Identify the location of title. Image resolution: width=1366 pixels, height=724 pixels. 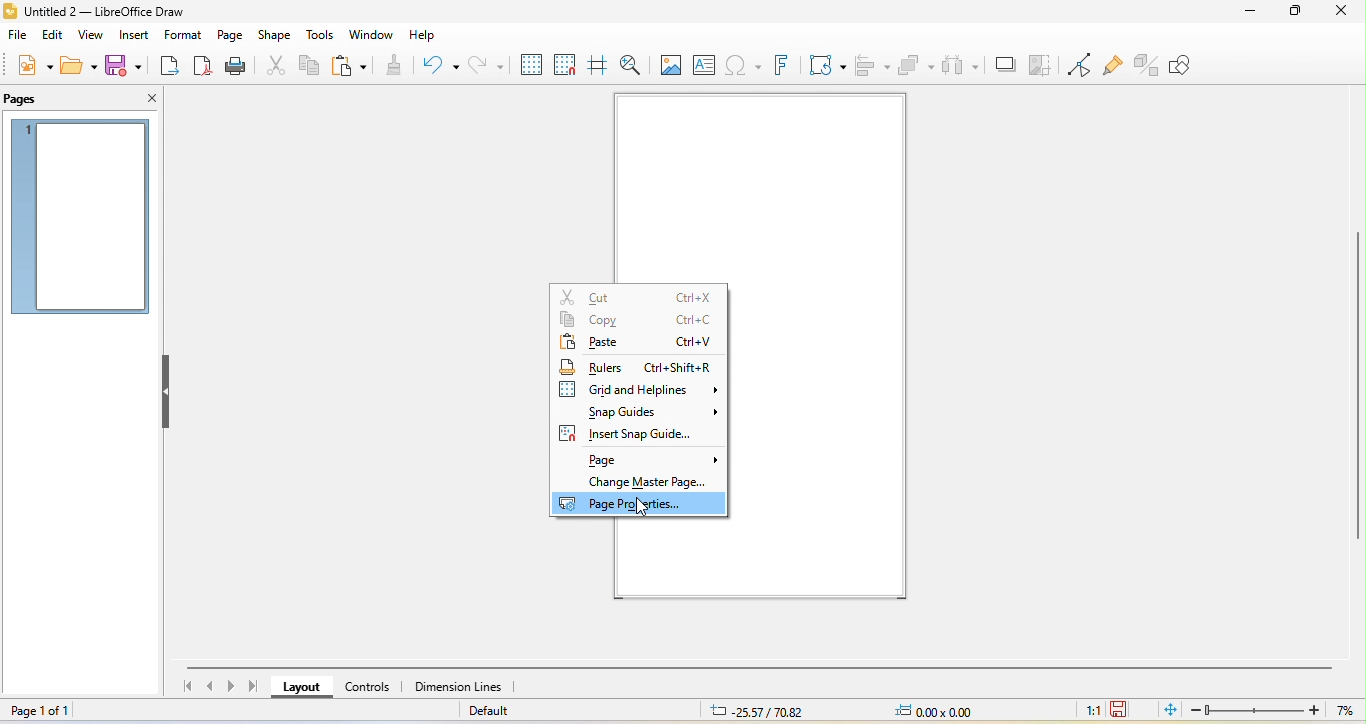
(122, 10).